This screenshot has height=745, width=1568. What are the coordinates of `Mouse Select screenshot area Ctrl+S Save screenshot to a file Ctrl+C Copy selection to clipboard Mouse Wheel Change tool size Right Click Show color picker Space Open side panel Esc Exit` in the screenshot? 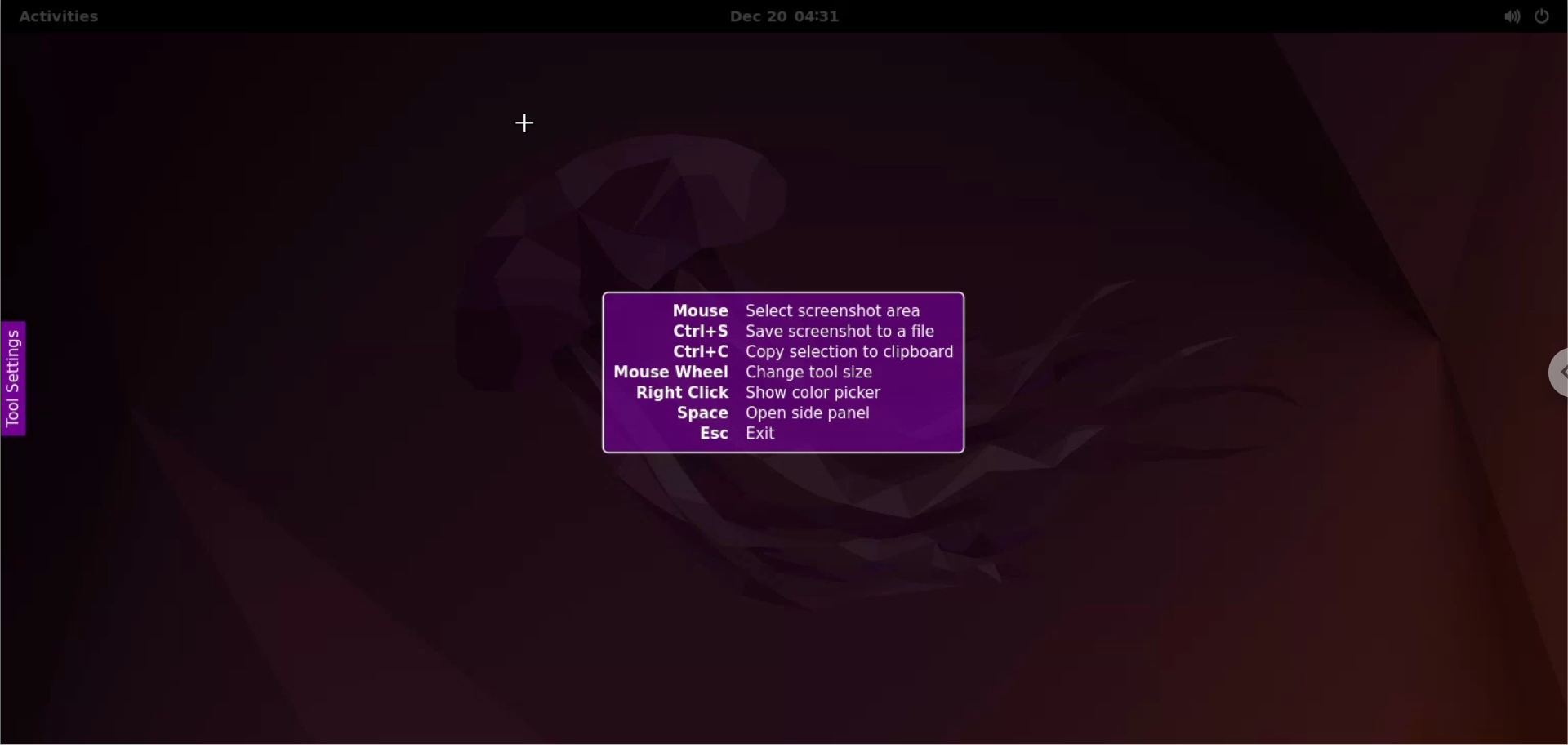 It's located at (785, 373).